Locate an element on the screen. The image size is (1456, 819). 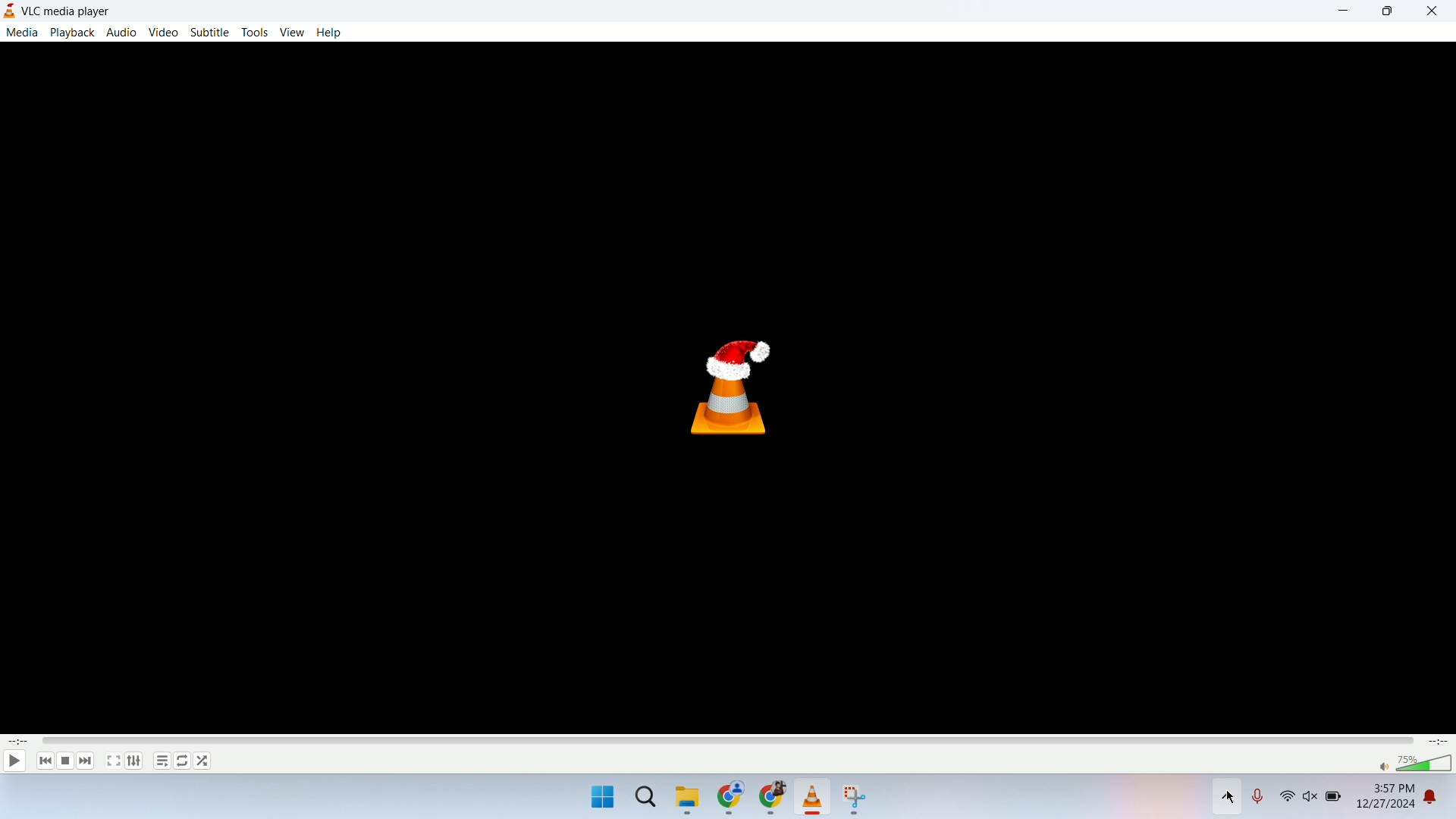
stop is located at coordinates (64, 761).